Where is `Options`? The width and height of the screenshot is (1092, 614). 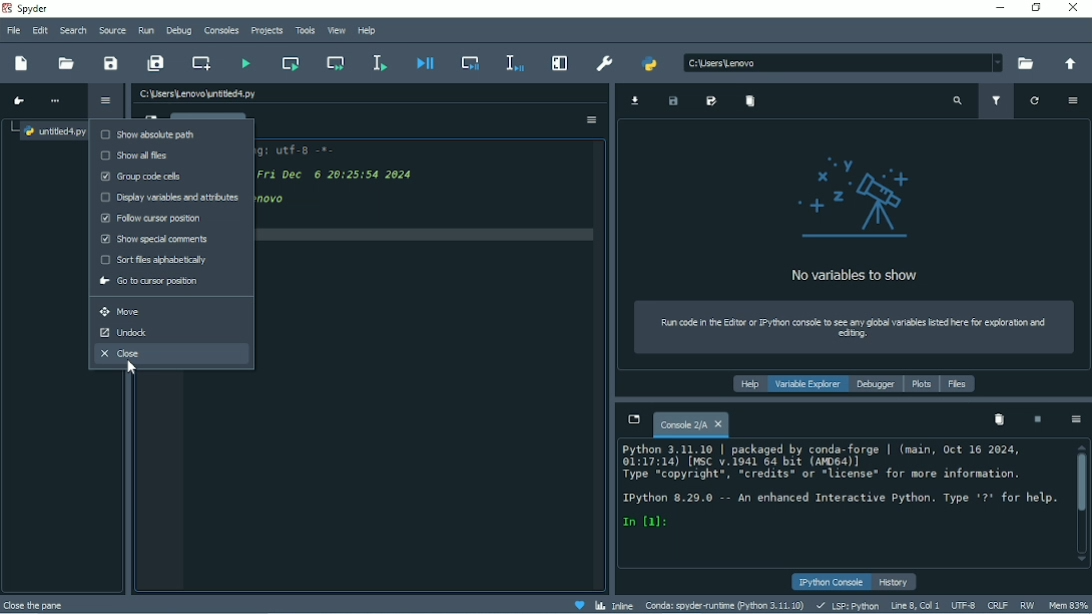
Options is located at coordinates (1076, 420).